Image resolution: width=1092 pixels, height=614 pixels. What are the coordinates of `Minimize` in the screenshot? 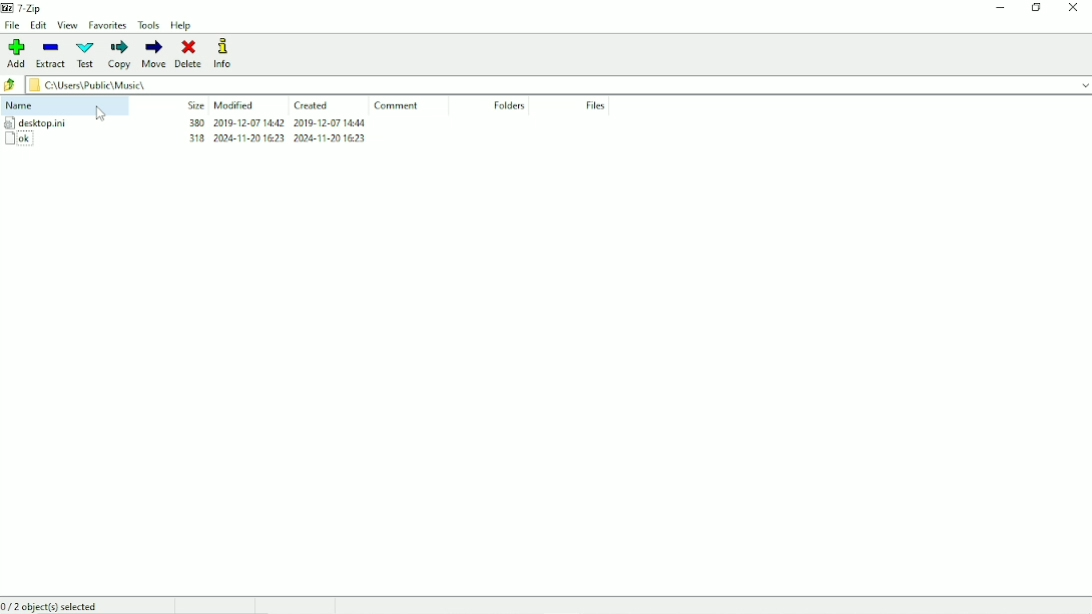 It's located at (999, 10).